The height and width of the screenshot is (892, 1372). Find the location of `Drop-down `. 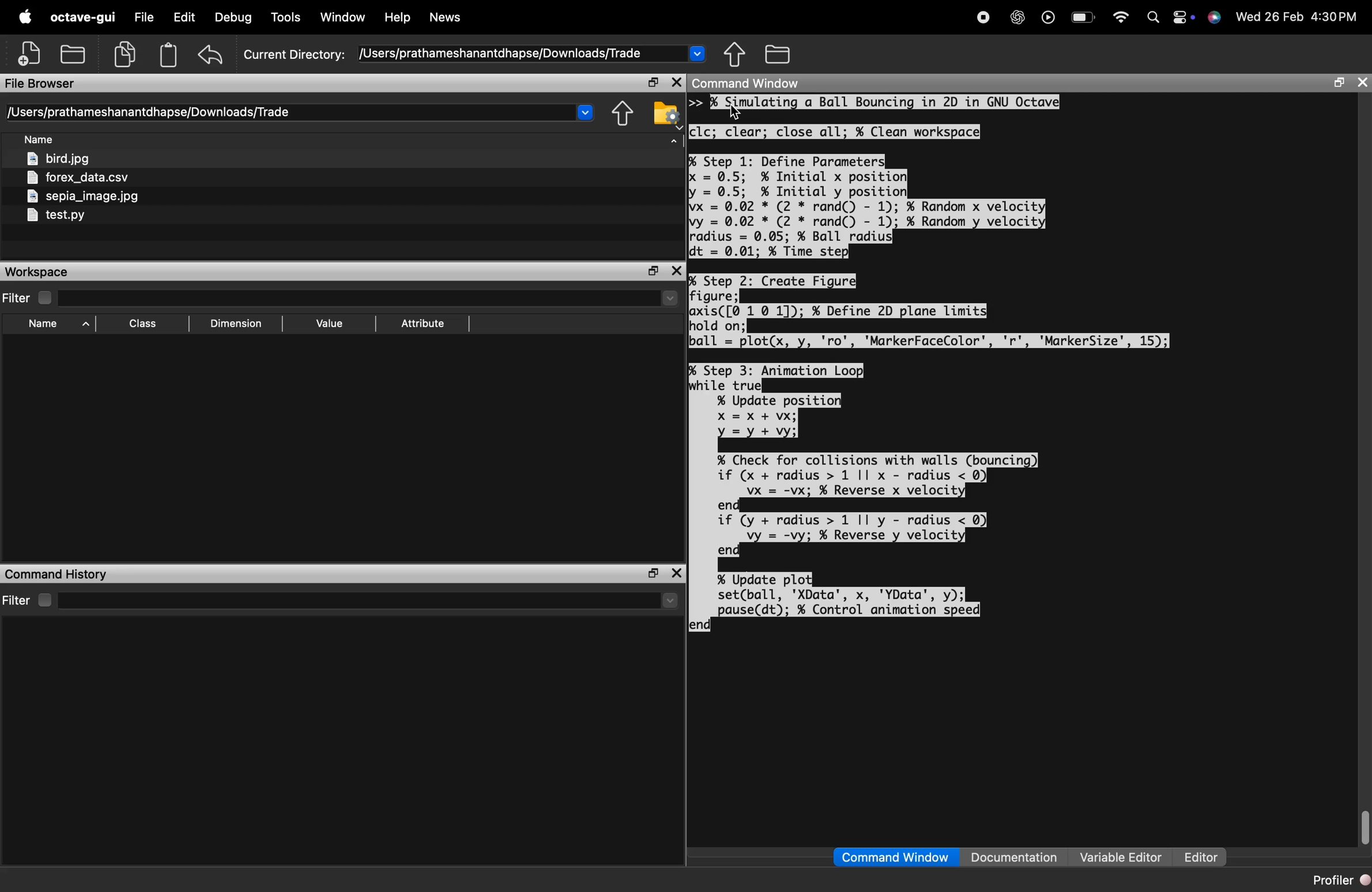

Drop-down  is located at coordinates (670, 297).